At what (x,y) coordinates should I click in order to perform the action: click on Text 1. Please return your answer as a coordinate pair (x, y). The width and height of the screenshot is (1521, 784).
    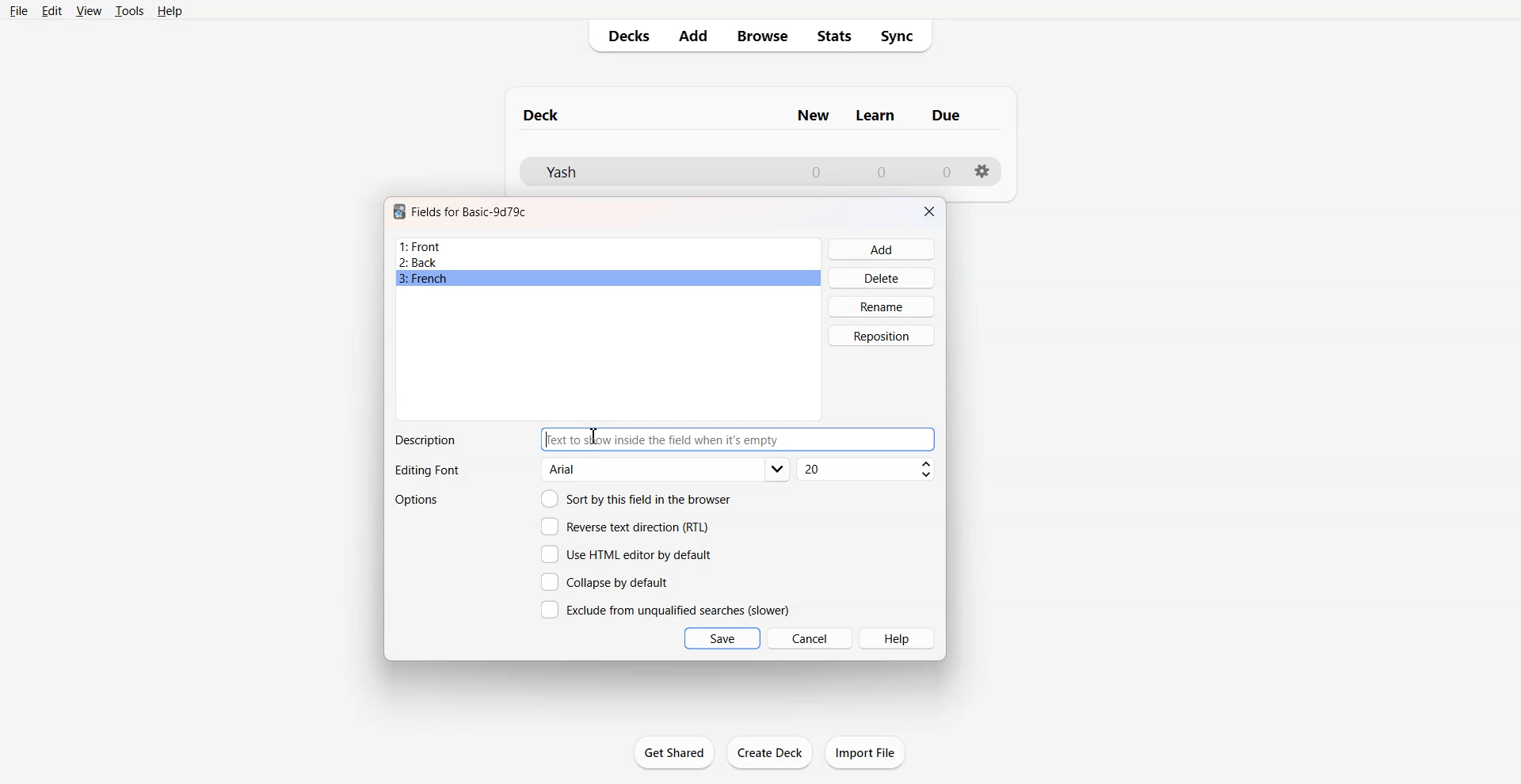
    Looking at the image, I should click on (542, 115).